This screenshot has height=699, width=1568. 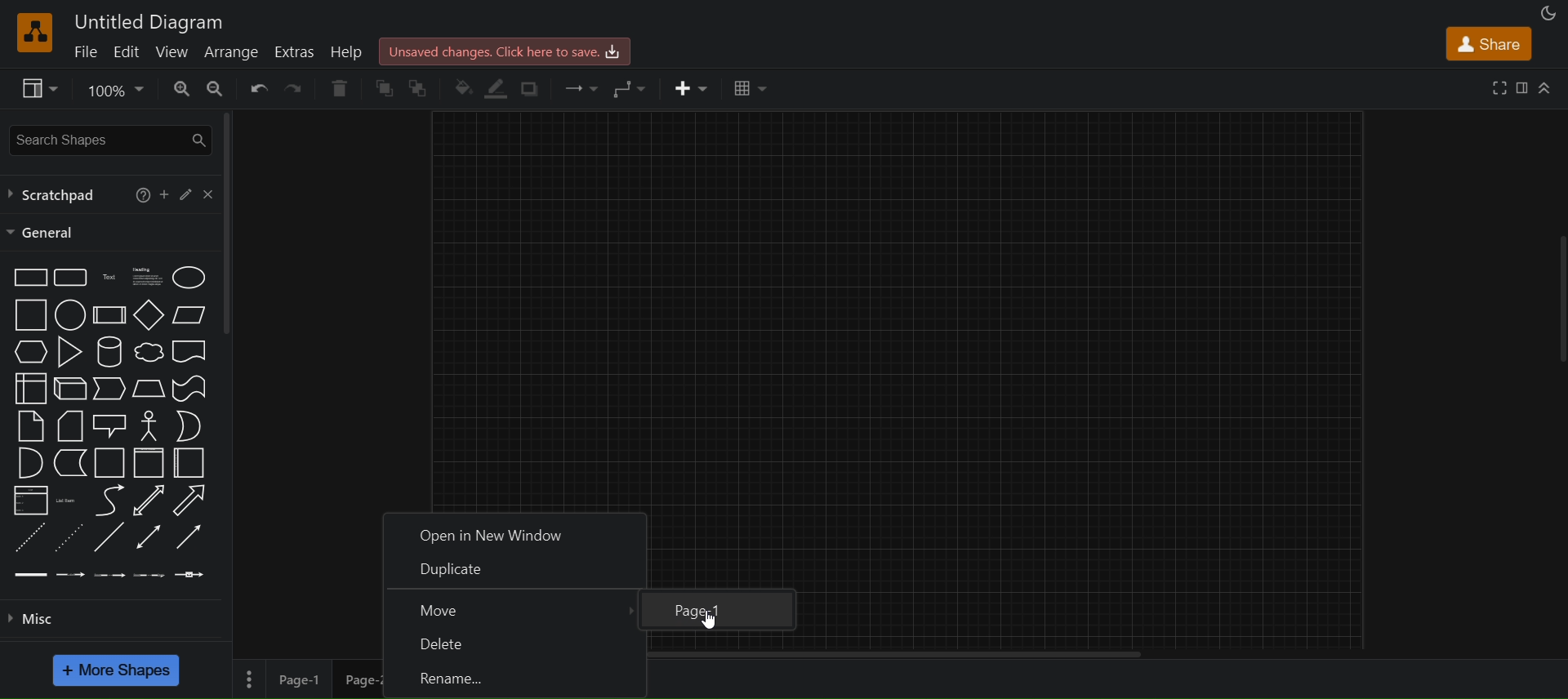 What do you see at coordinates (37, 89) in the screenshot?
I see `view` at bounding box center [37, 89].